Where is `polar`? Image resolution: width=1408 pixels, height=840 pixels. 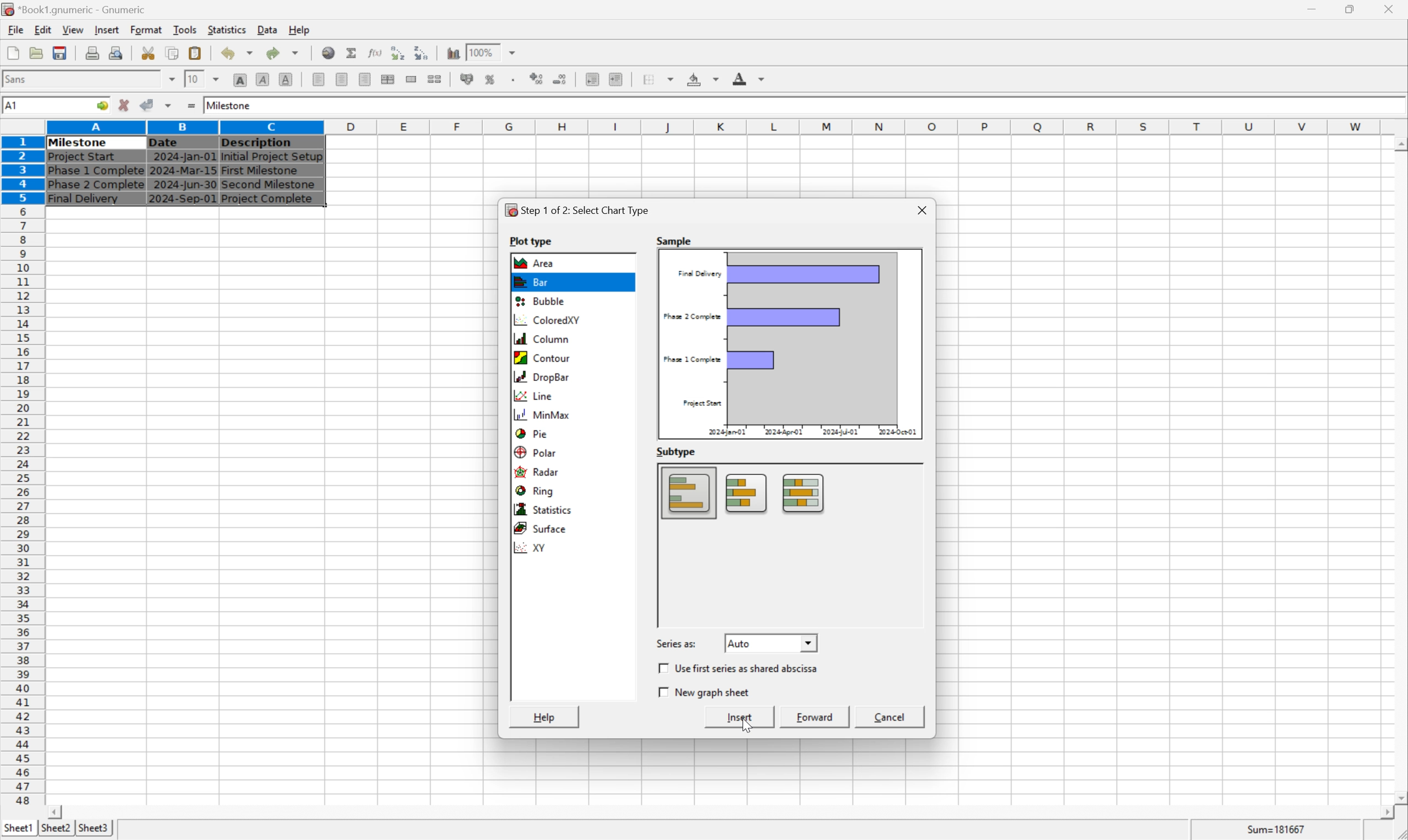 polar is located at coordinates (537, 451).